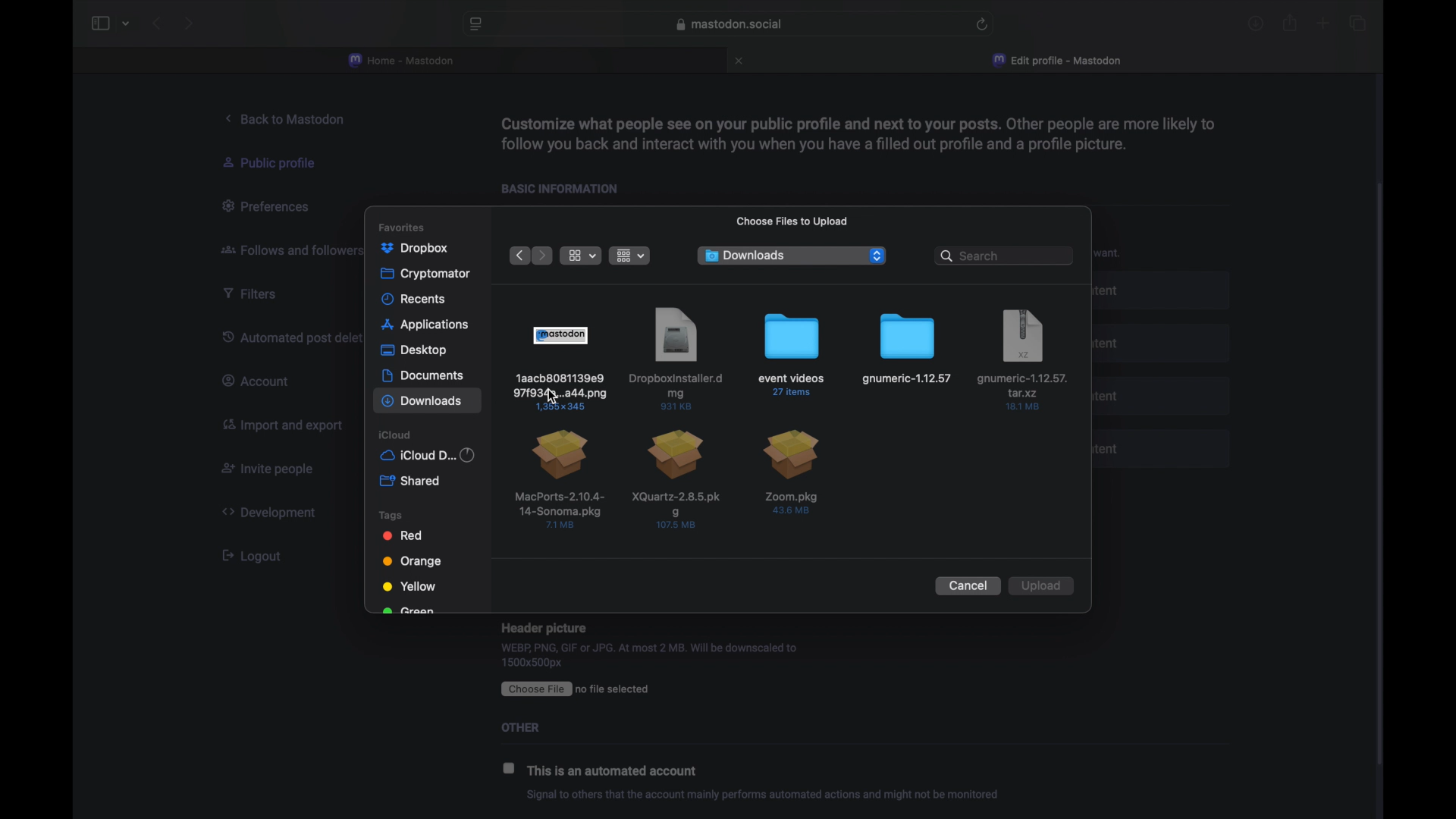 This screenshot has width=1456, height=819. I want to click on next, so click(543, 255).